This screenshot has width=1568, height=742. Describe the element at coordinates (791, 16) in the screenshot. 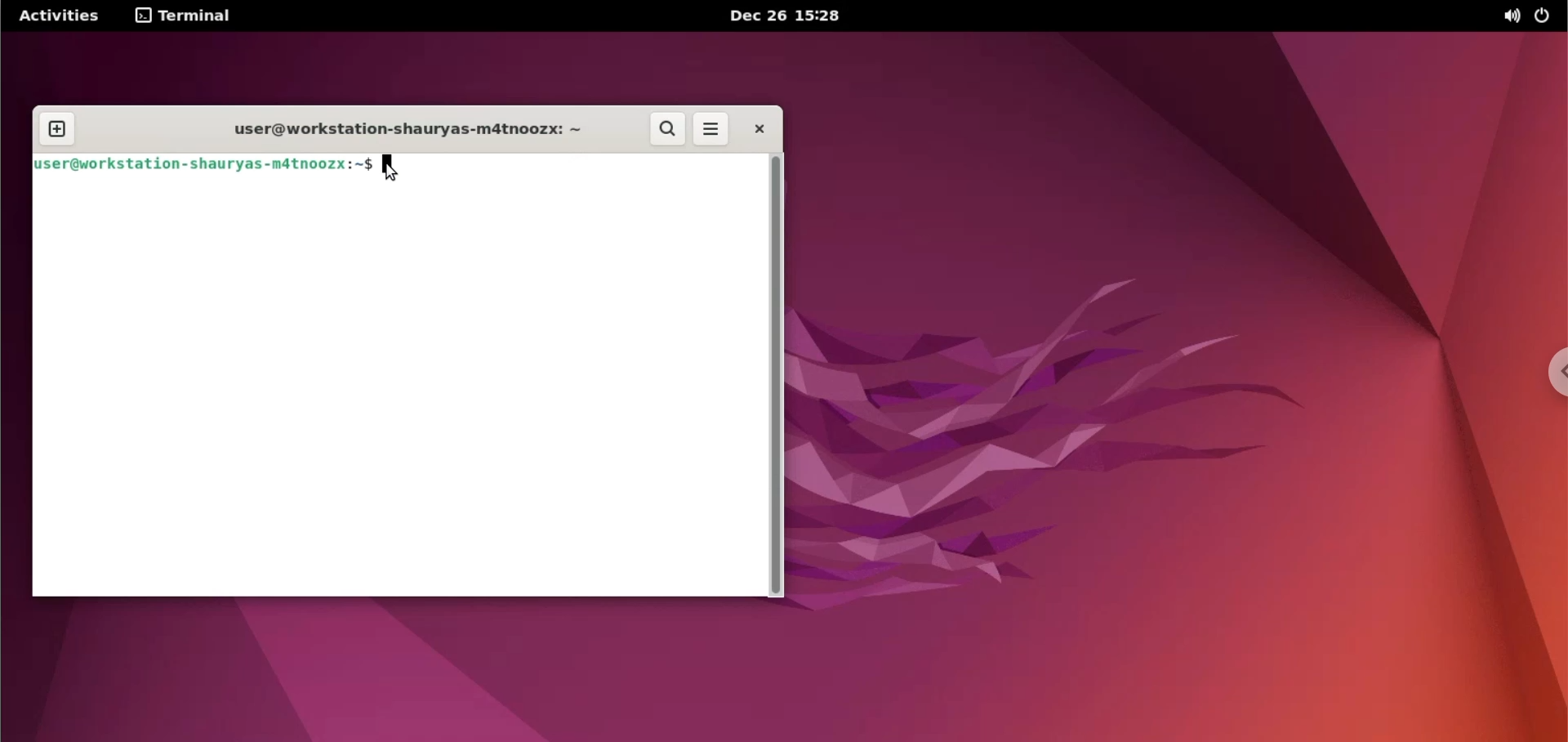

I see `Dec 26 15:28` at that location.